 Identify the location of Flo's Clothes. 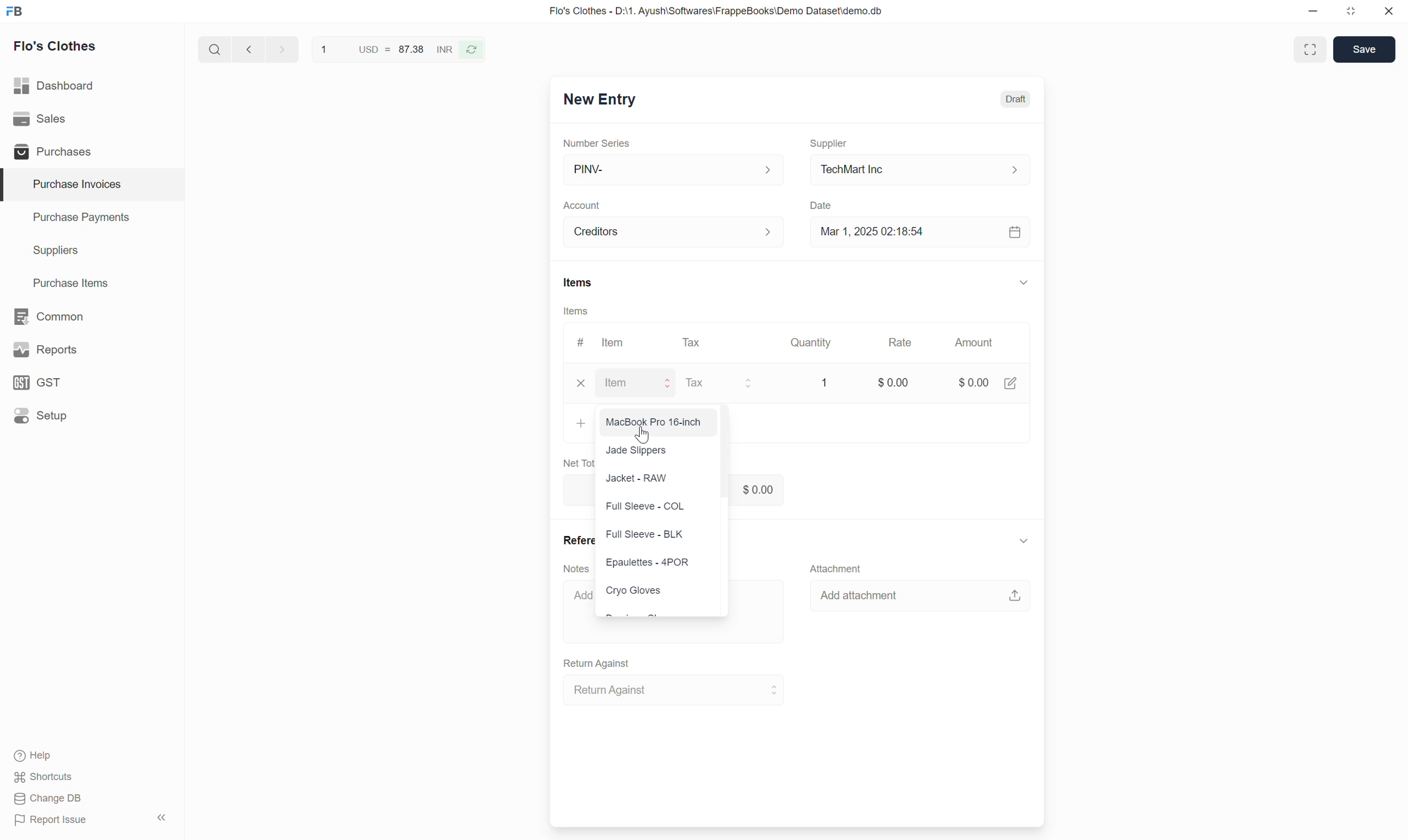
(55, 46).